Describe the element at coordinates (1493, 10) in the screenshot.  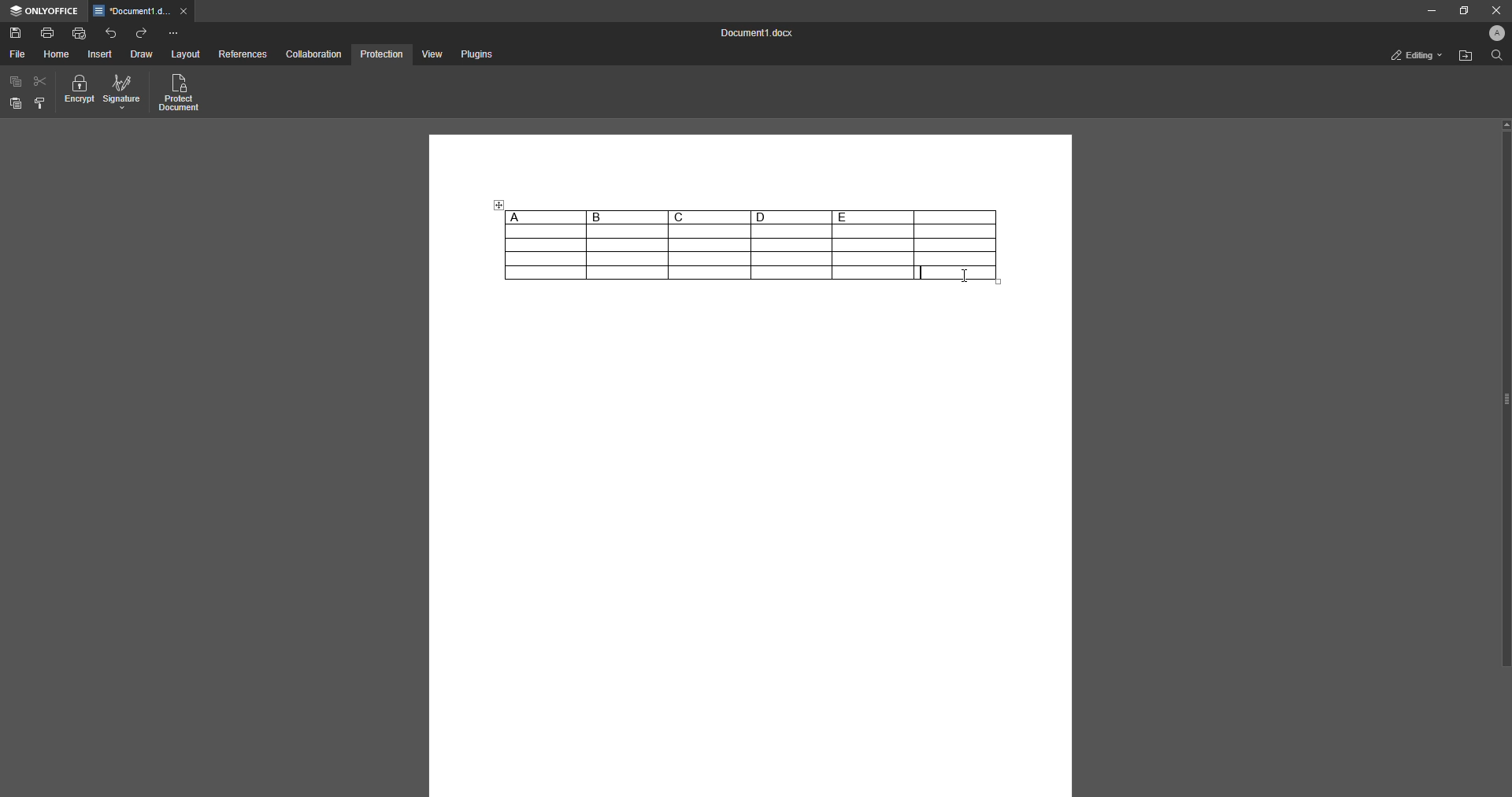
I see `Close` at that location.